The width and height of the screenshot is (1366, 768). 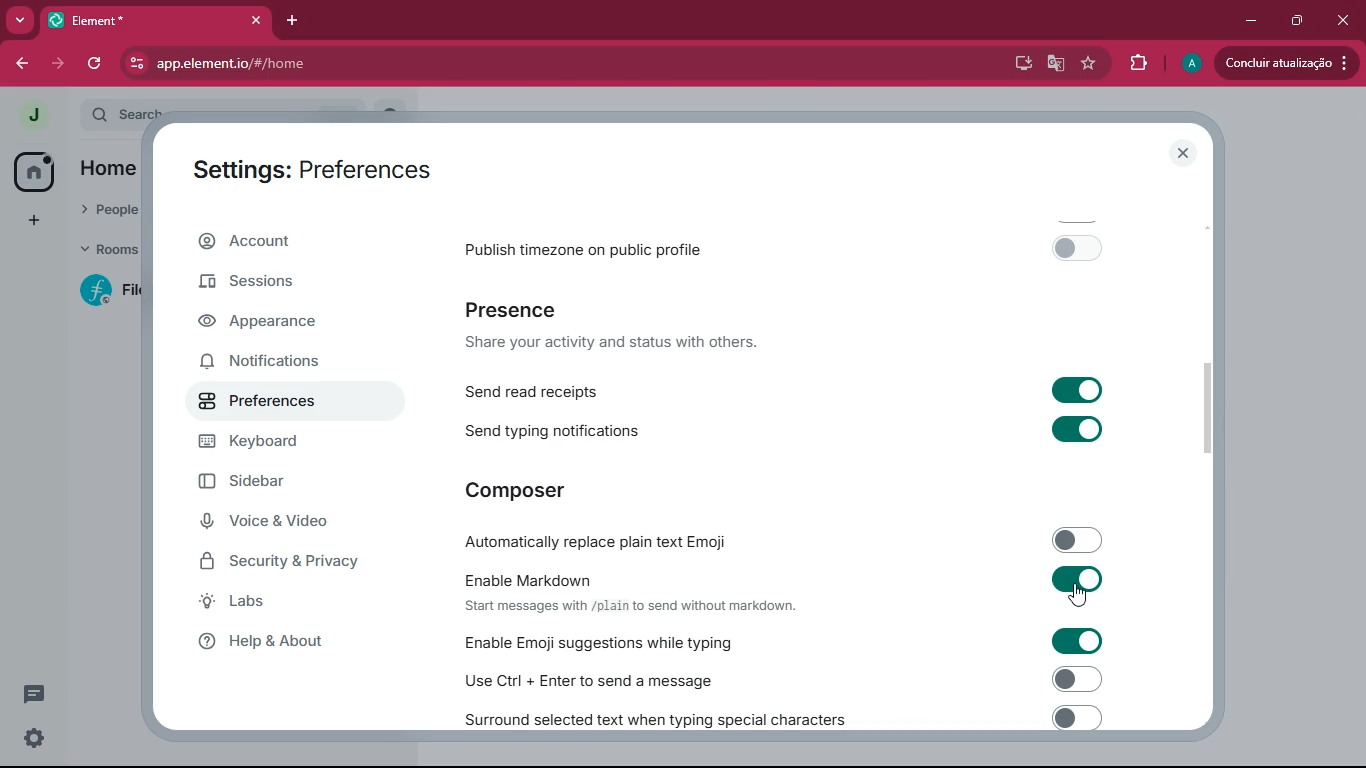 What do you see at coordinates (792, 247) in the screenshot?
I see `publish timezone` at bounding box center [792, 247].